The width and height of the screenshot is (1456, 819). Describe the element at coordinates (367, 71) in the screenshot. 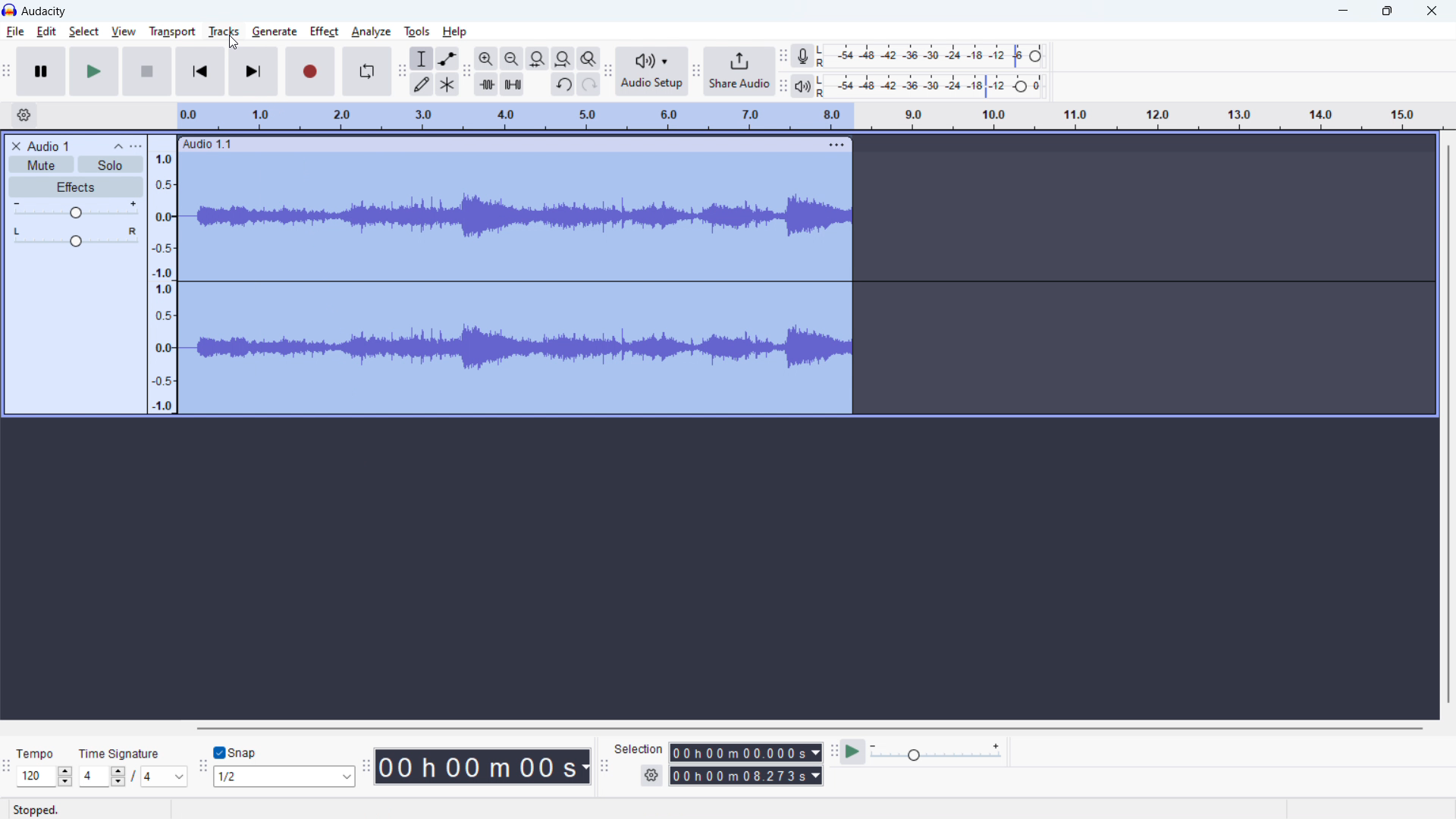

I see `` at that location.